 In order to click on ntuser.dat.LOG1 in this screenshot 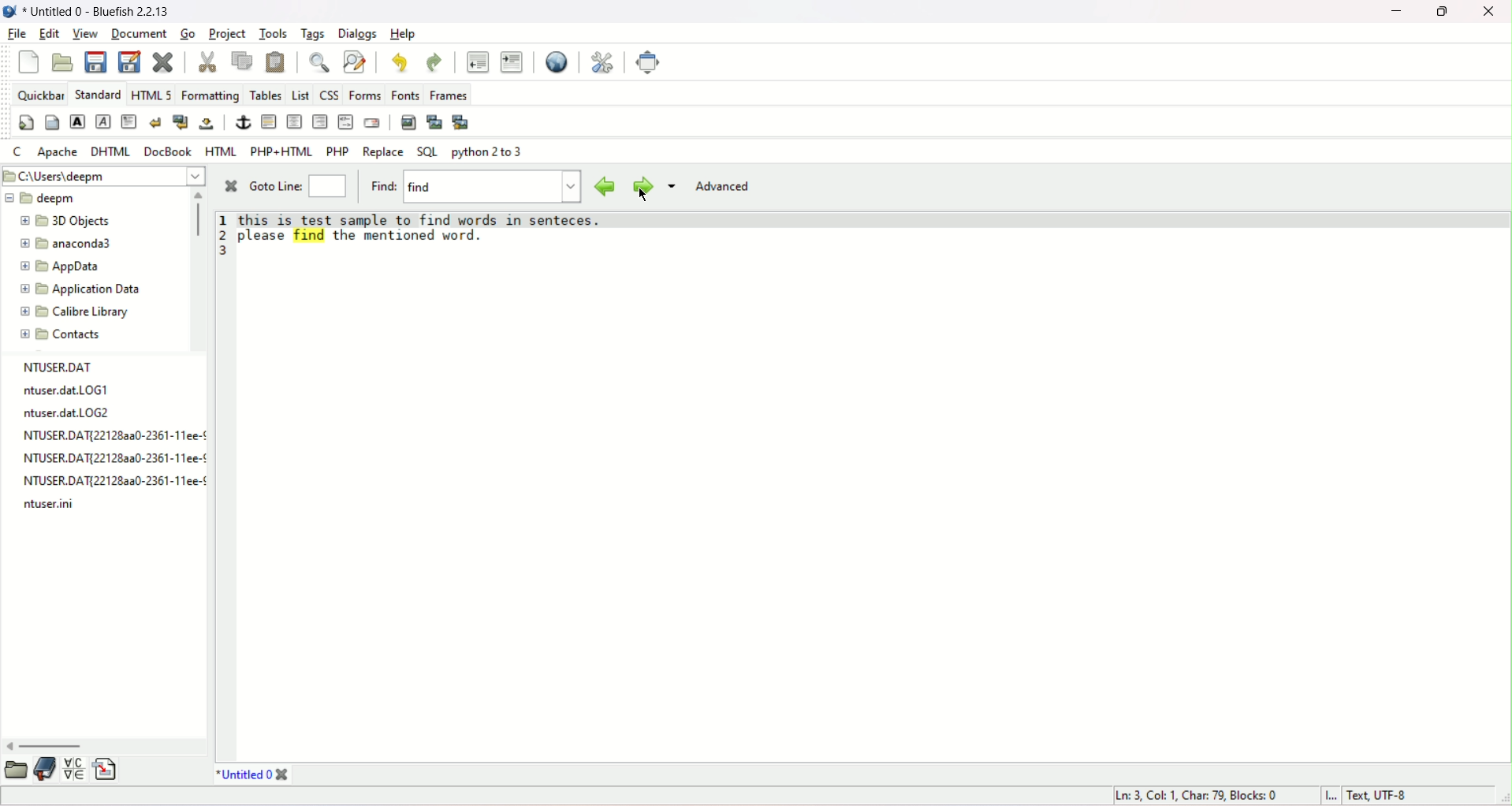, I will do `click(65, 391)`.